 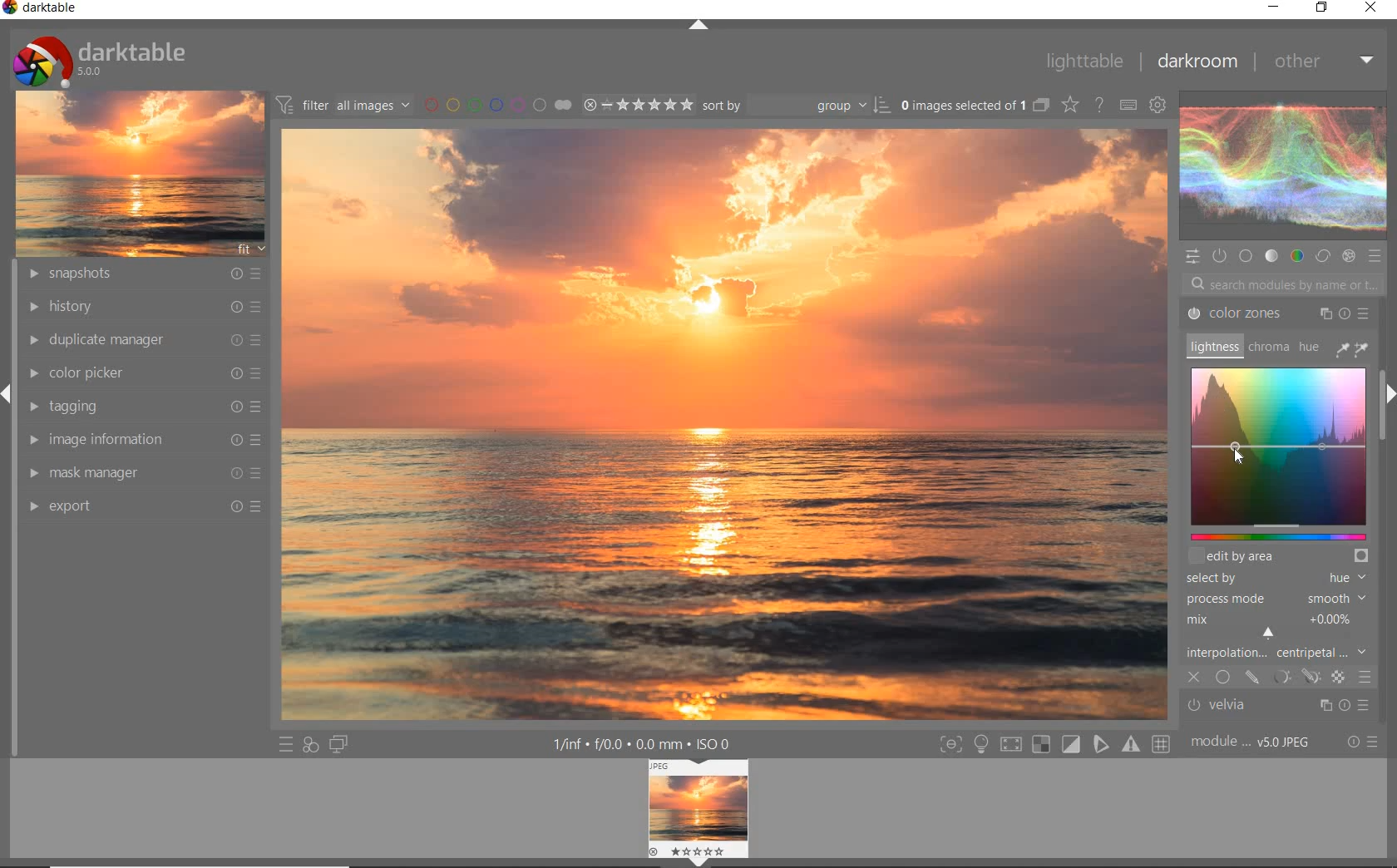 What do you see at coordinates (1281, 555) in the screenshot?
I see `EDIT BY AREA` at bounding box center [1281, 555].